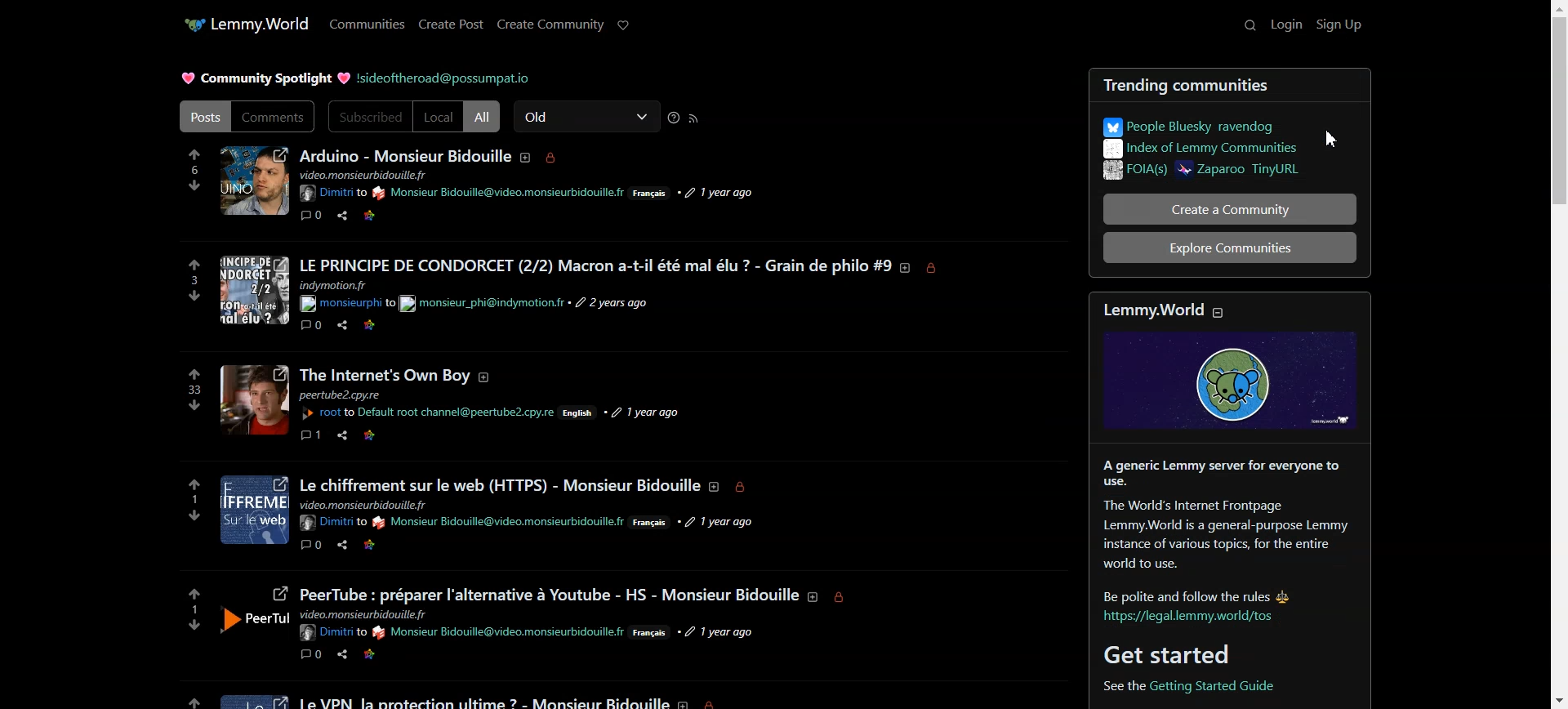 The width and height of the screenshot is (1568, 709). I want to click on Text, so click(407, 154).